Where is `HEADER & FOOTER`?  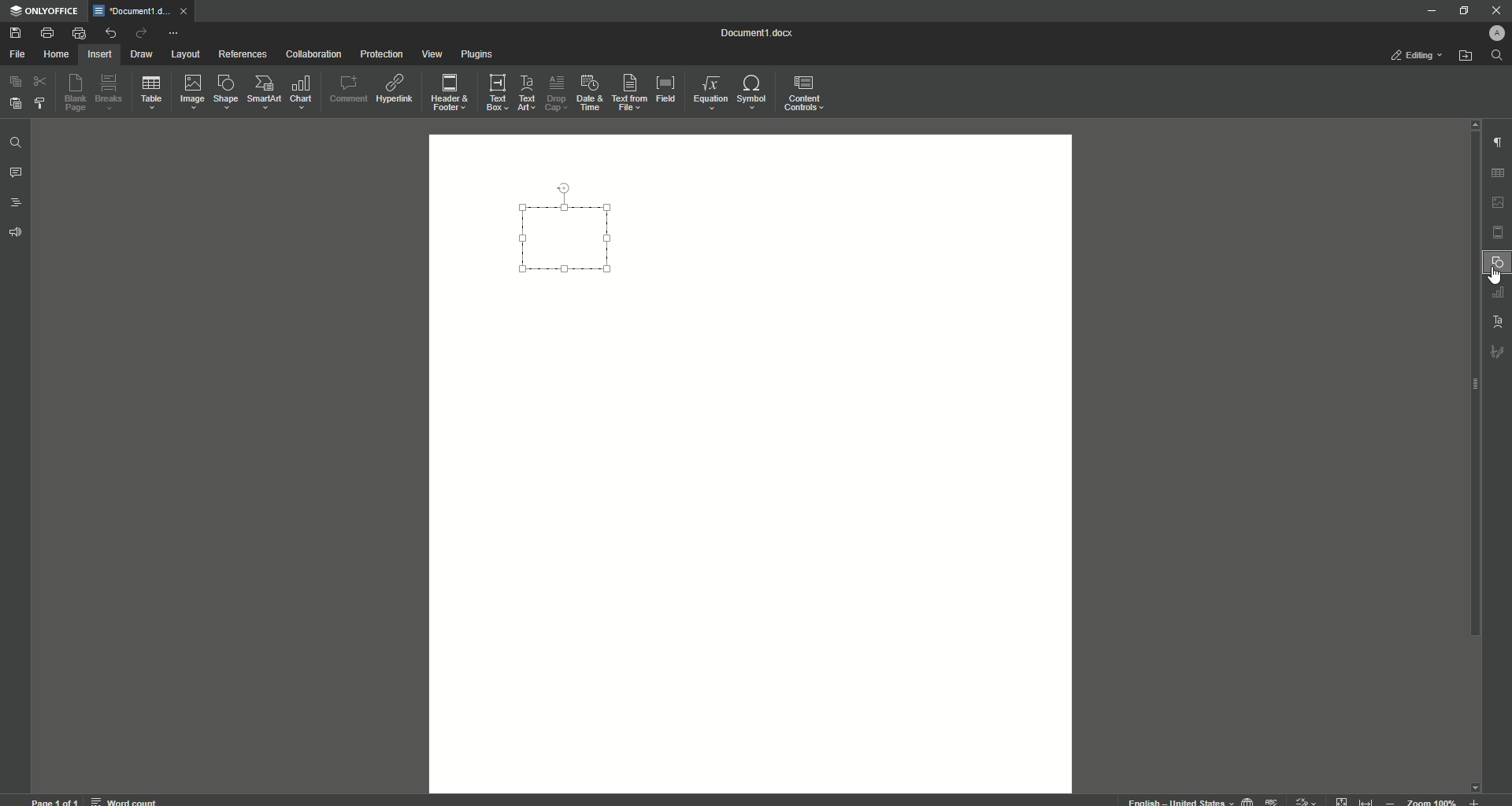
HEADER & FOOTER is located at coordinates (1498, 233).